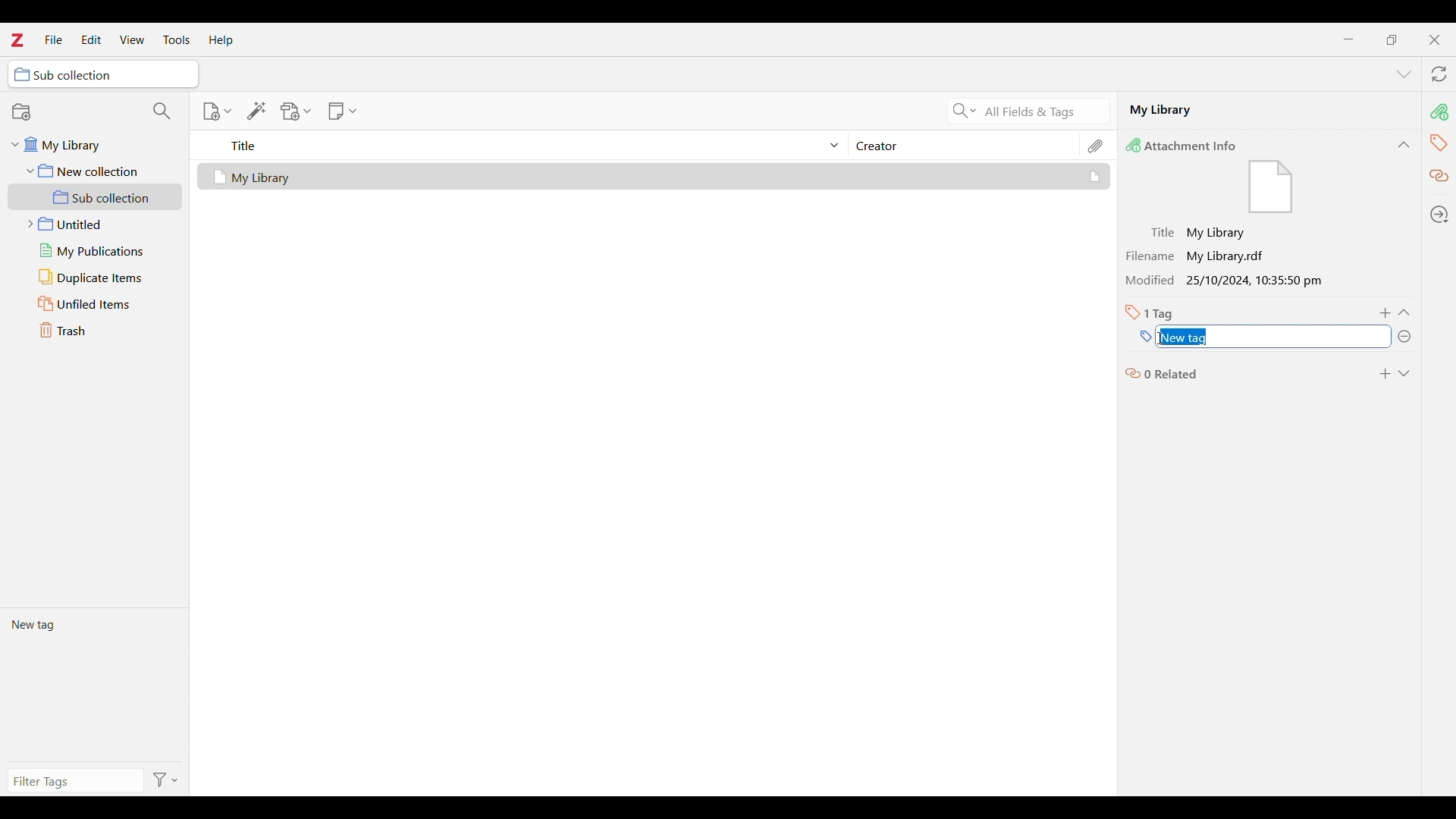 This screenshot has width=1456, height=819. I want to click on Duplicate items folder, so click(96, 278).